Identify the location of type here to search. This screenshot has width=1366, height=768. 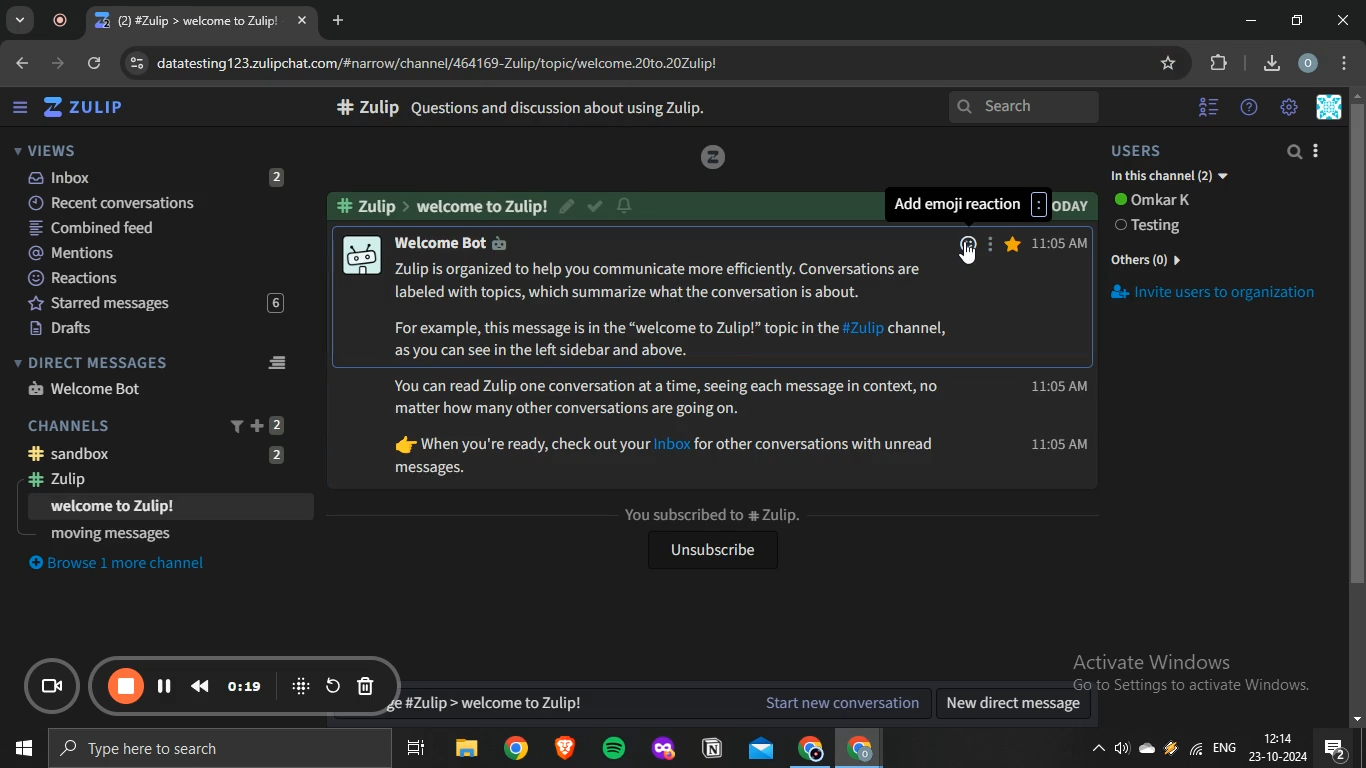
(215, 750).